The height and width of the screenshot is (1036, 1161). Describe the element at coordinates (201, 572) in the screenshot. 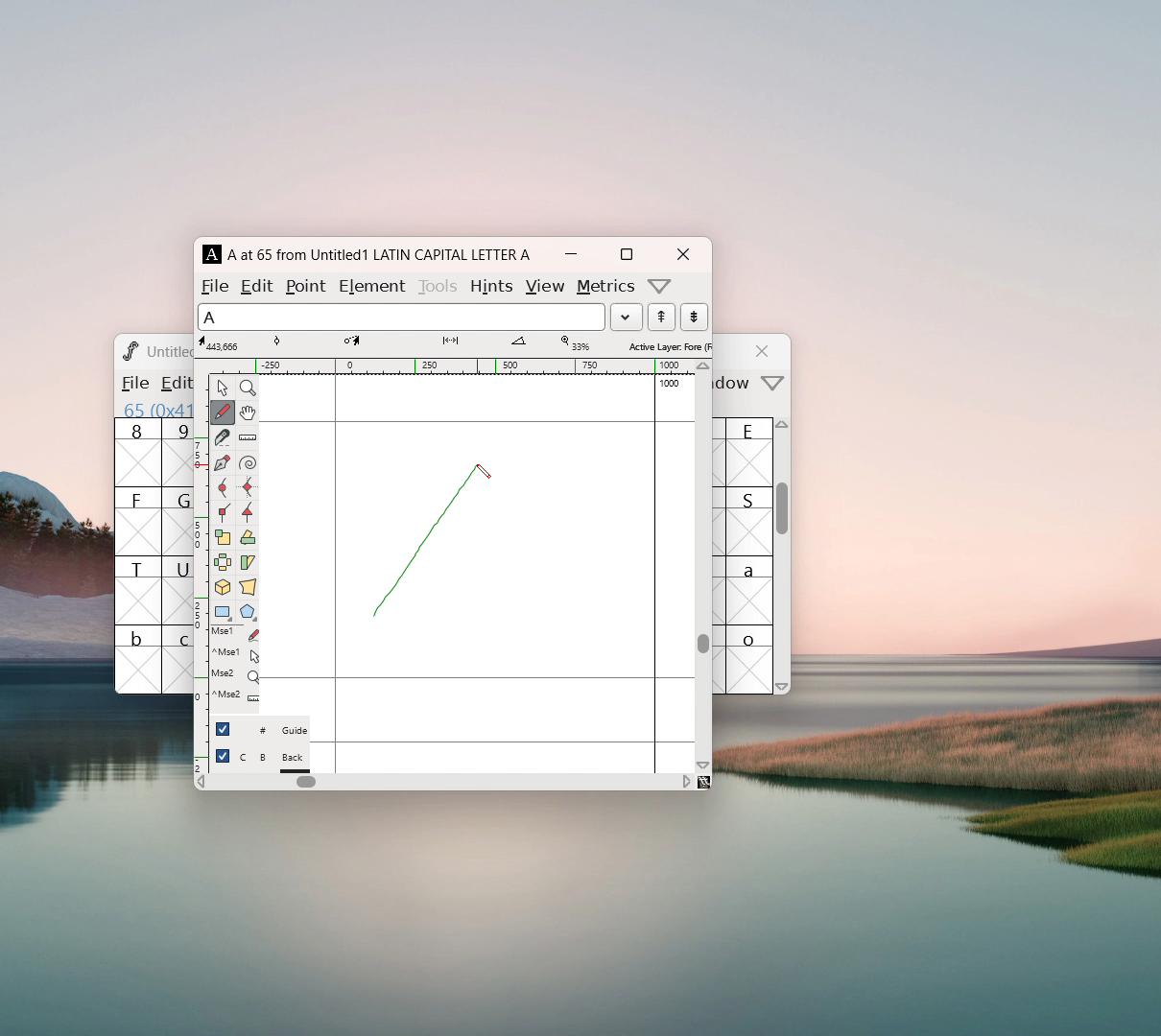

I see `vertical ruler` at that location.